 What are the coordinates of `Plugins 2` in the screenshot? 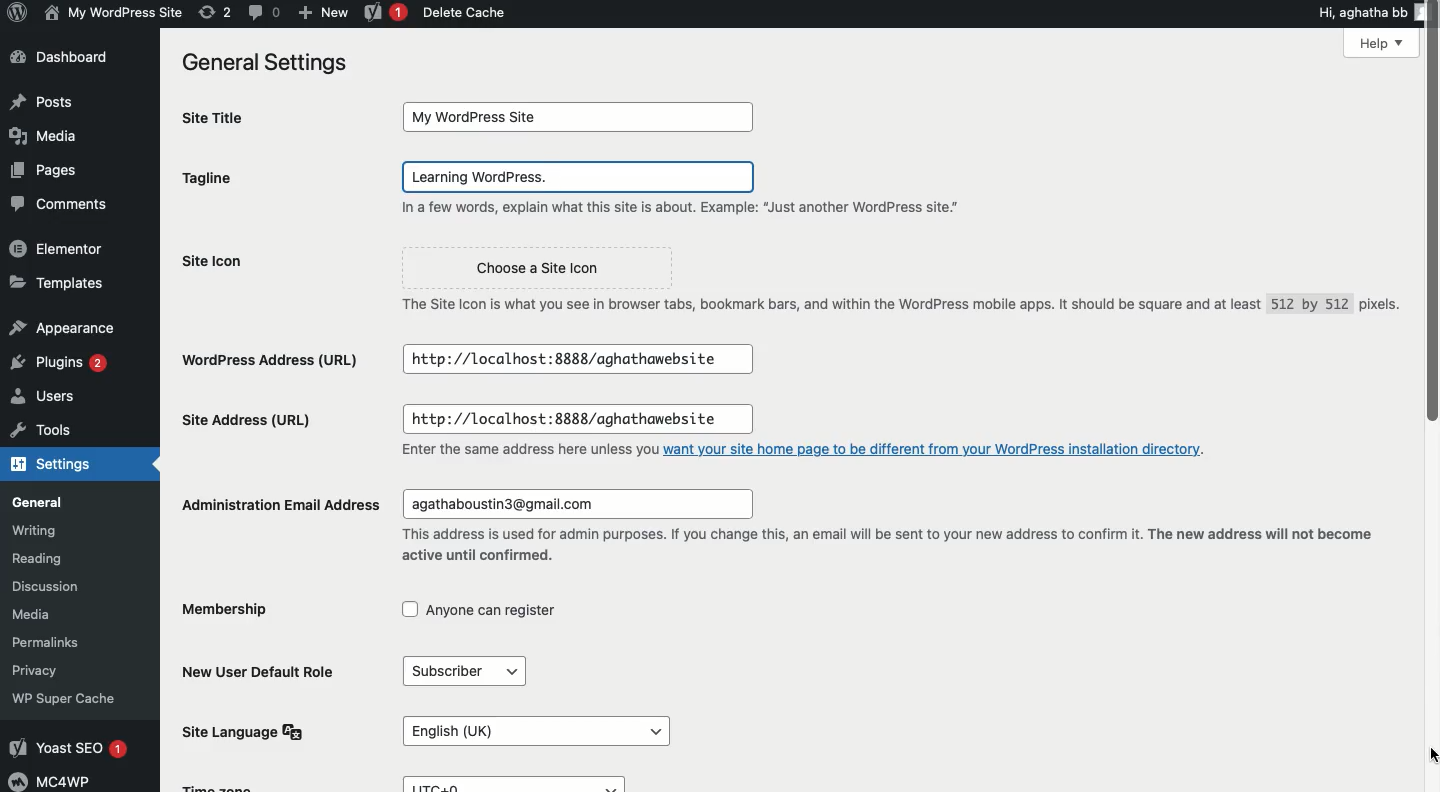 It's located at (58, 363).